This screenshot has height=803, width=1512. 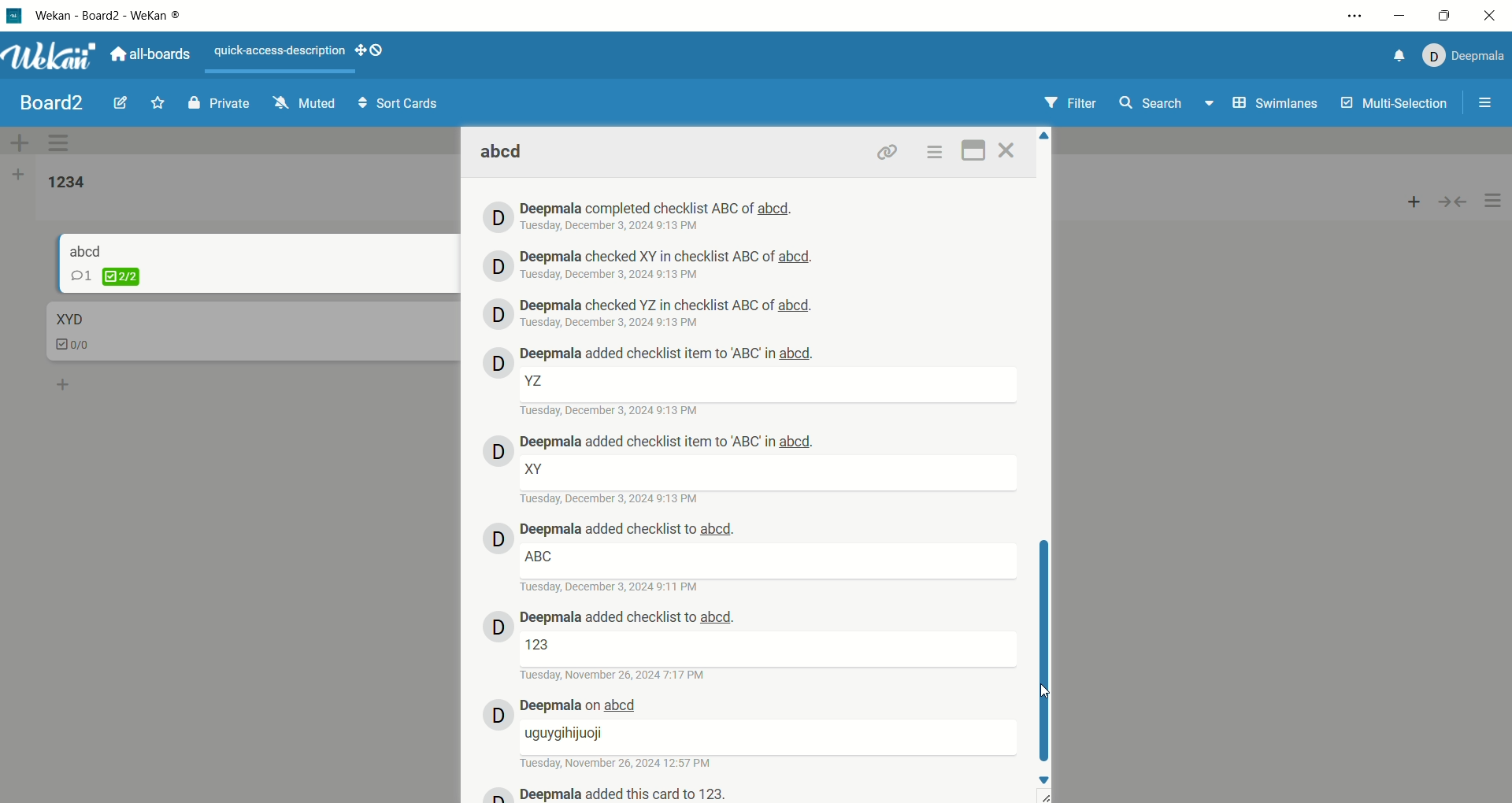 What do you see at coordinates (613, 589) in the screenshot?
I see `date and time` at bounding box center [613, 589].